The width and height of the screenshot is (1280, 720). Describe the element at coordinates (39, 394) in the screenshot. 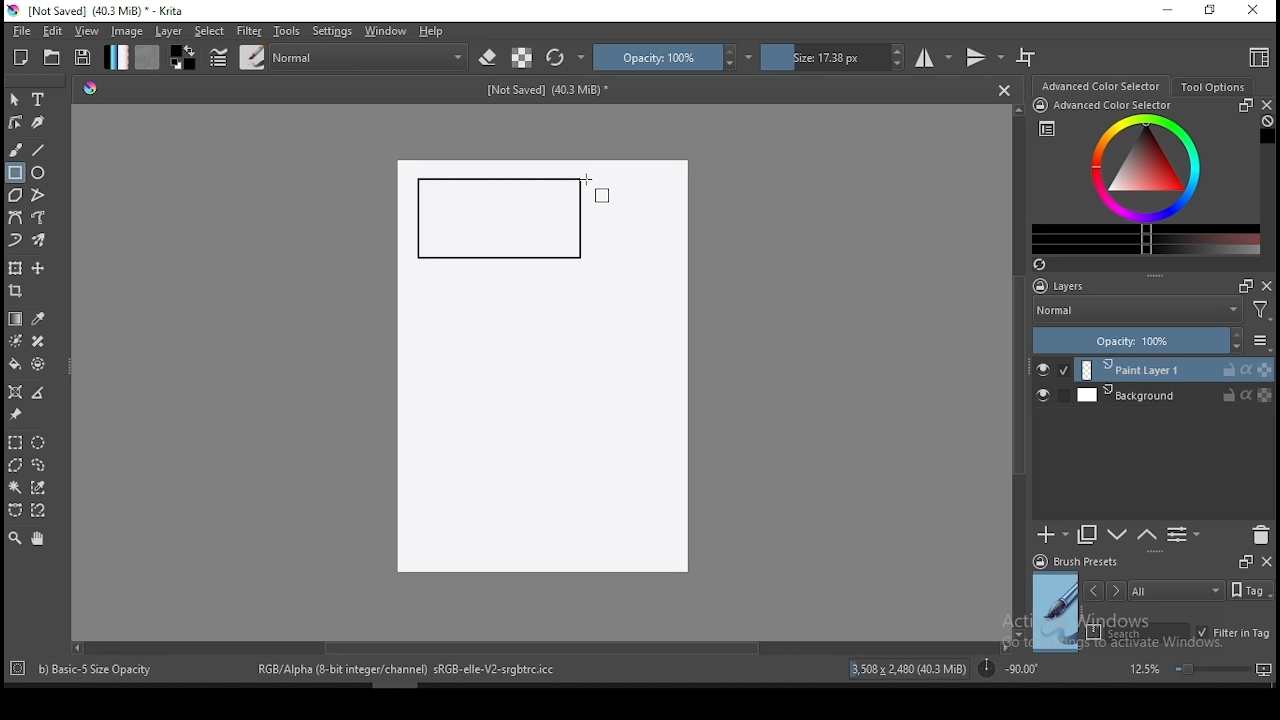

I see `measure distance between two points` at that location.